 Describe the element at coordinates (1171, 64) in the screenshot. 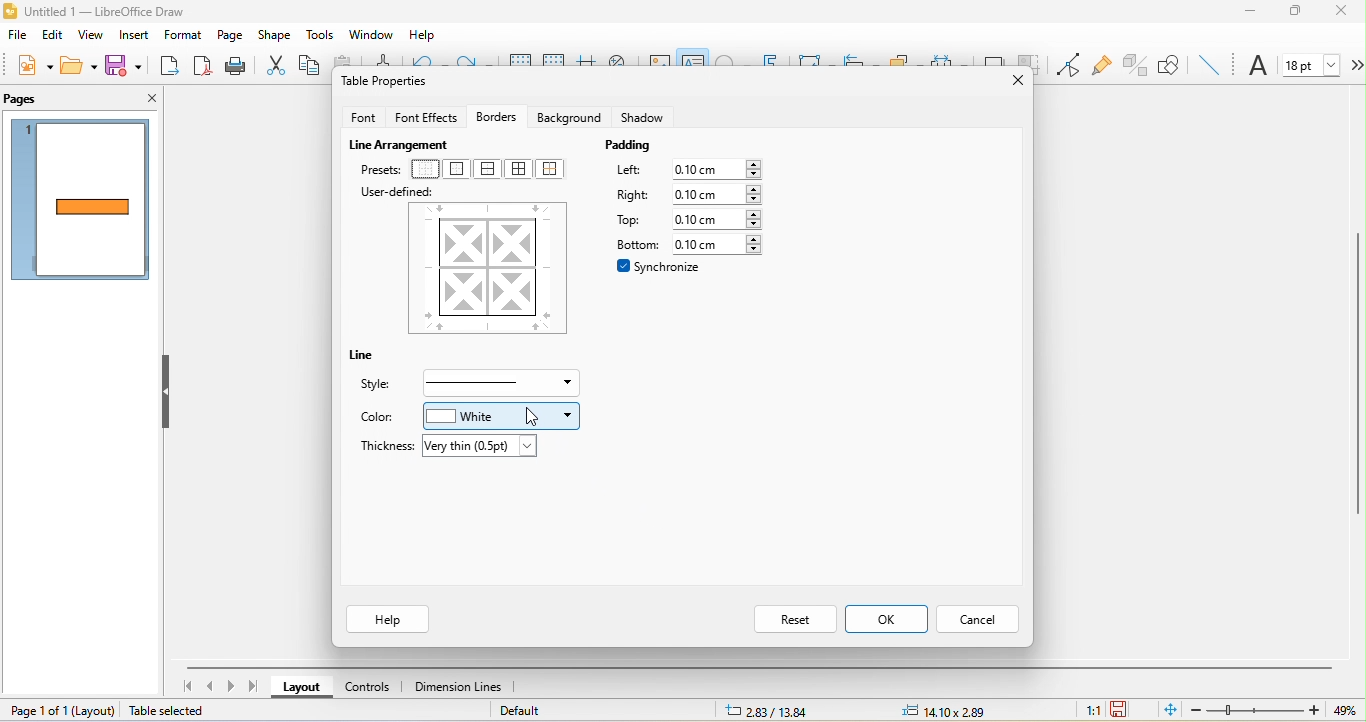

I see `show draw function` at that location.